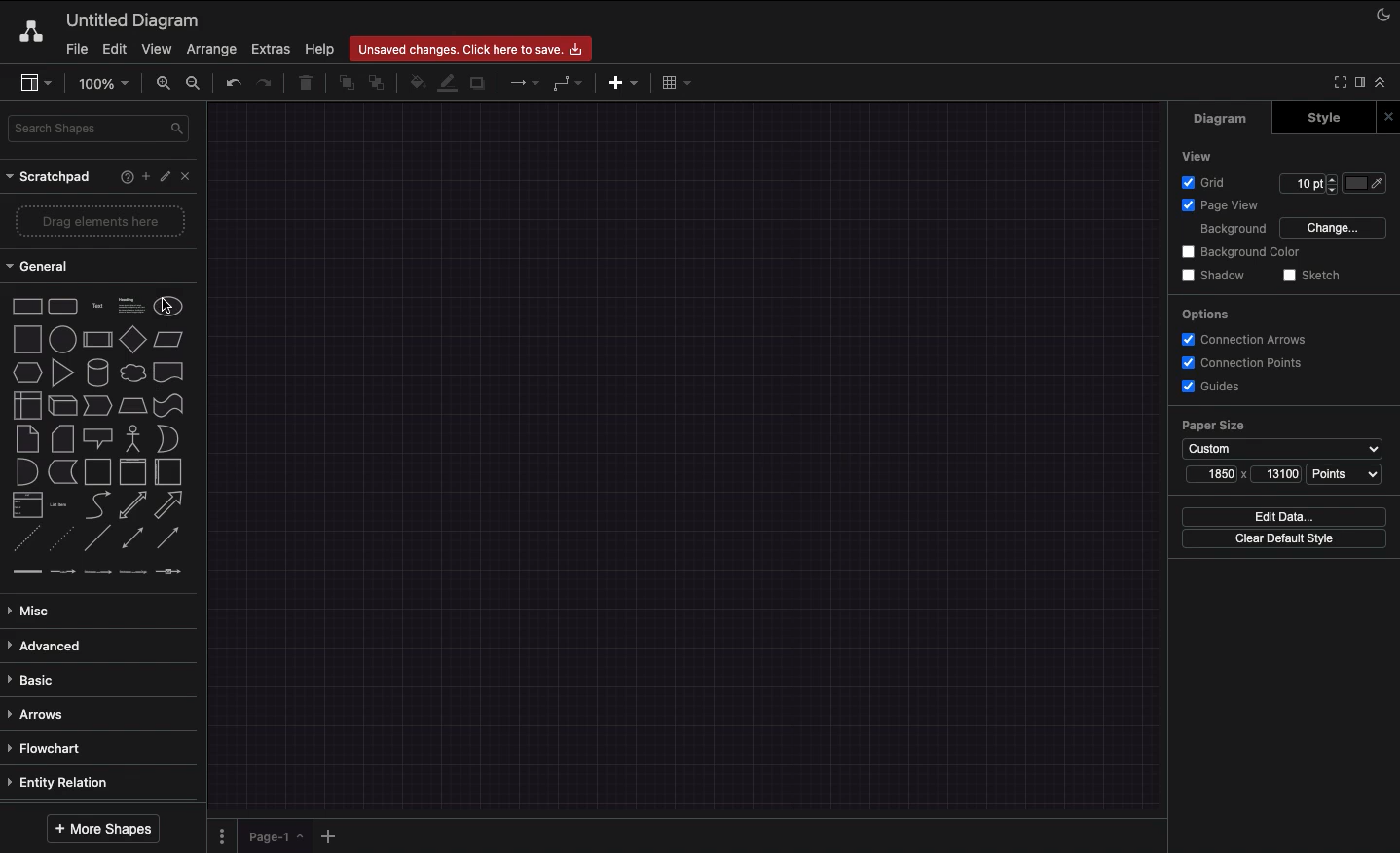  What do you see at coordinates (50, 177) in the screenshot?
I see `Scrathpad` at bounding box center [50, 177].